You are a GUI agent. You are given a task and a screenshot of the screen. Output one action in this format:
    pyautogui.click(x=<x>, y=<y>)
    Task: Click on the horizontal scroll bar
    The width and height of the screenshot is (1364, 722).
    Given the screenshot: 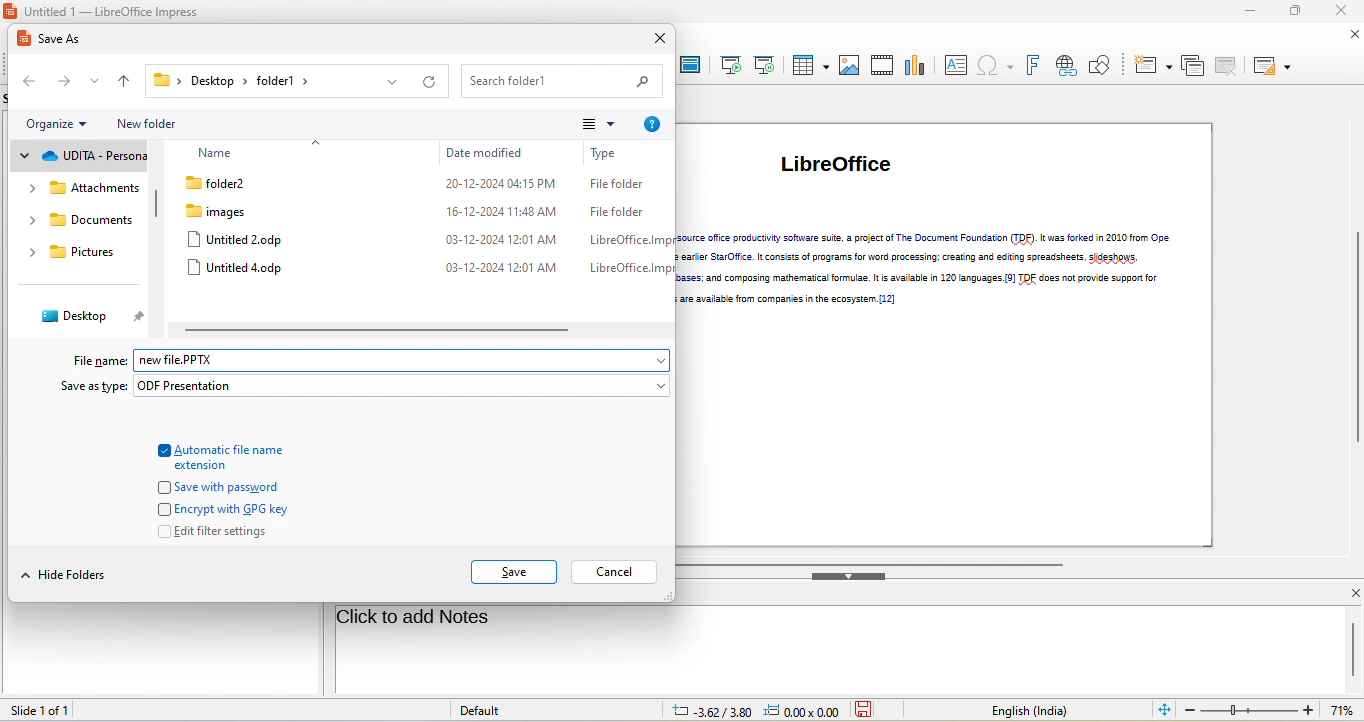 What is the action you would take?
    pyautogui.click(x=379, y=330)
    